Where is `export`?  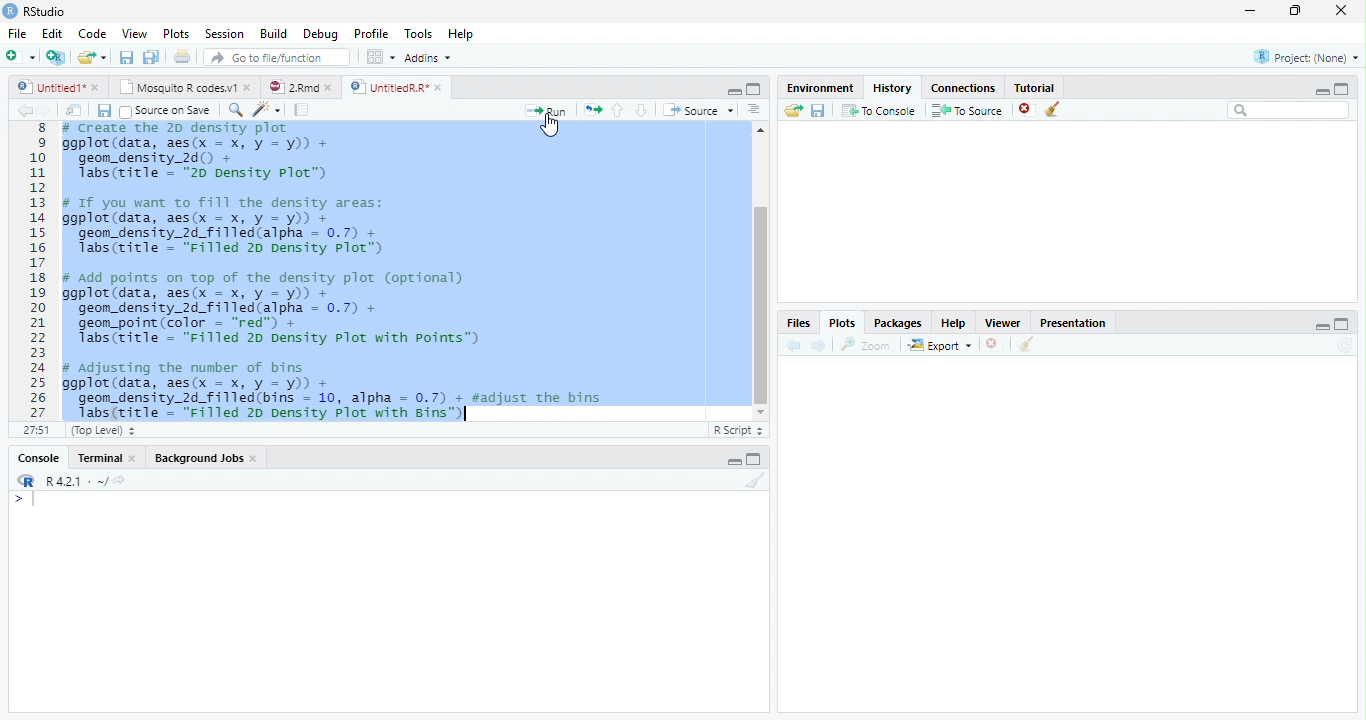 export is located at coordinates (939, 346).